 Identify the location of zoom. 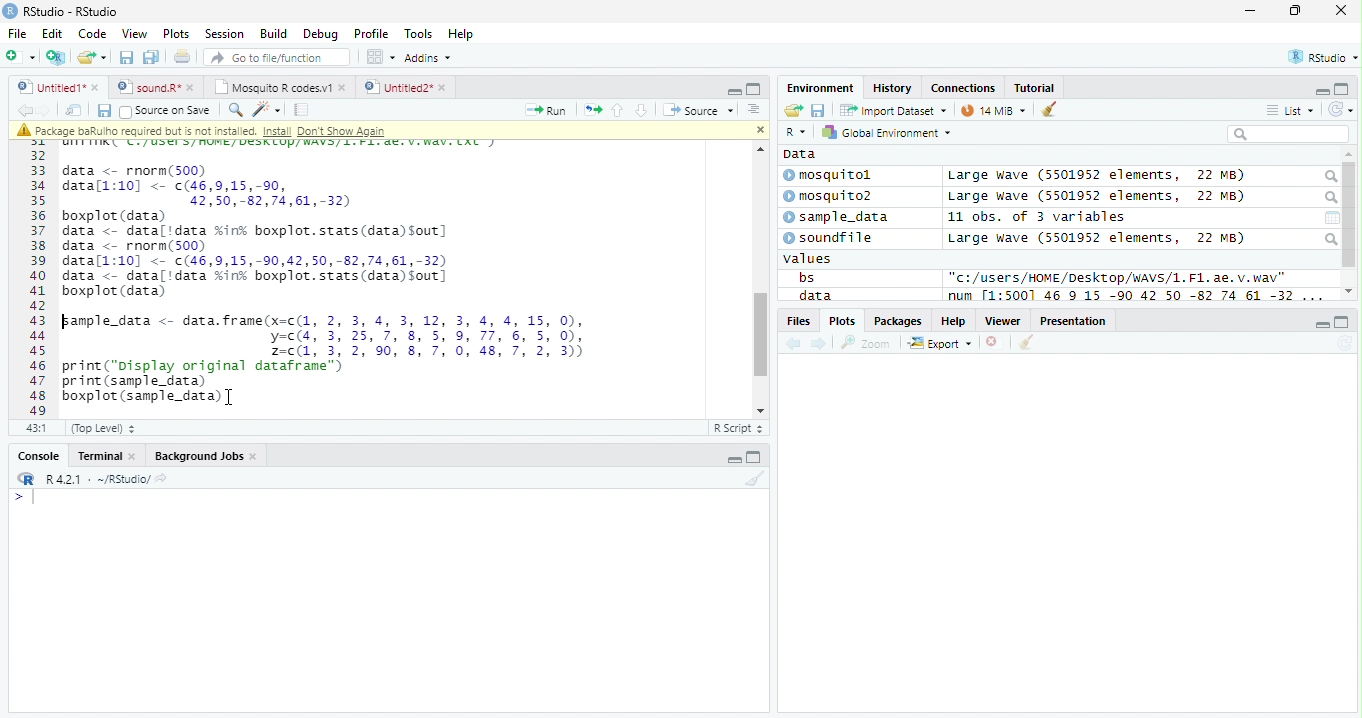
(866, 342).